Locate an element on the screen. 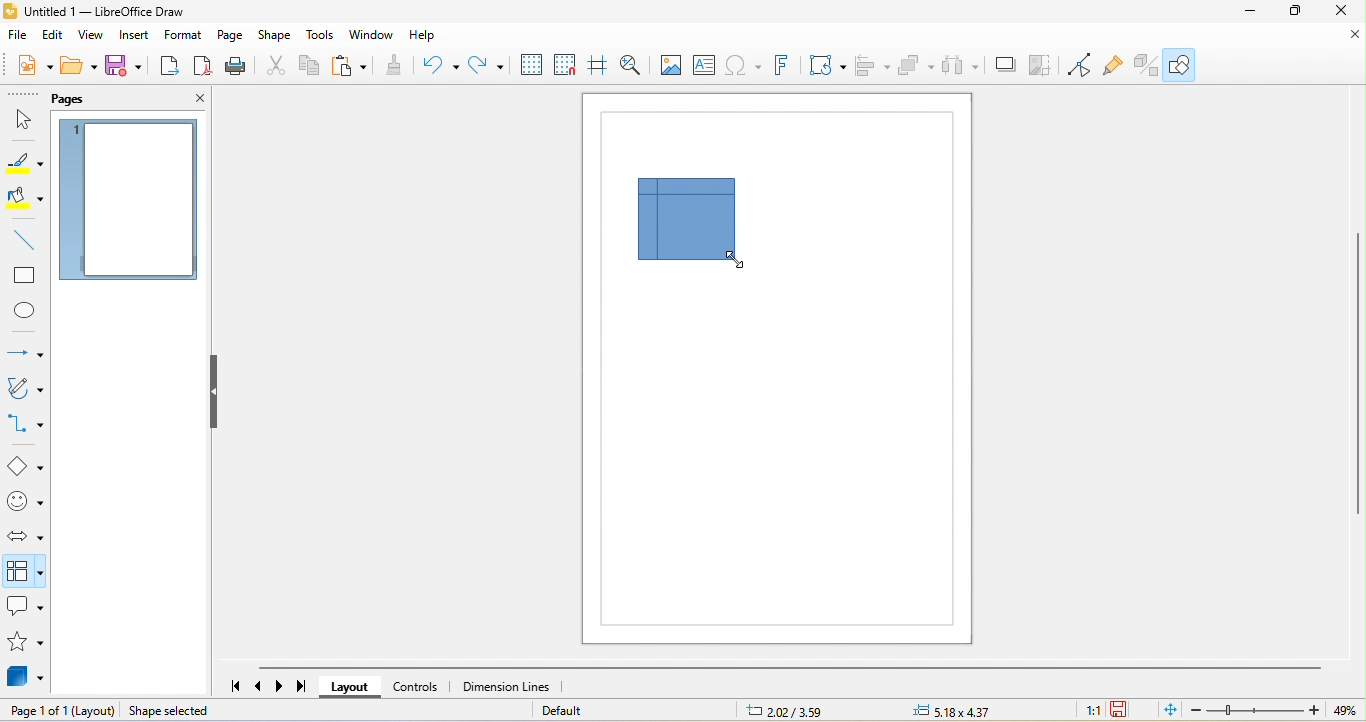 Image resolution: width=1366 pixels, height=722 pixels. basic shape is located at coordinates (26, 467).